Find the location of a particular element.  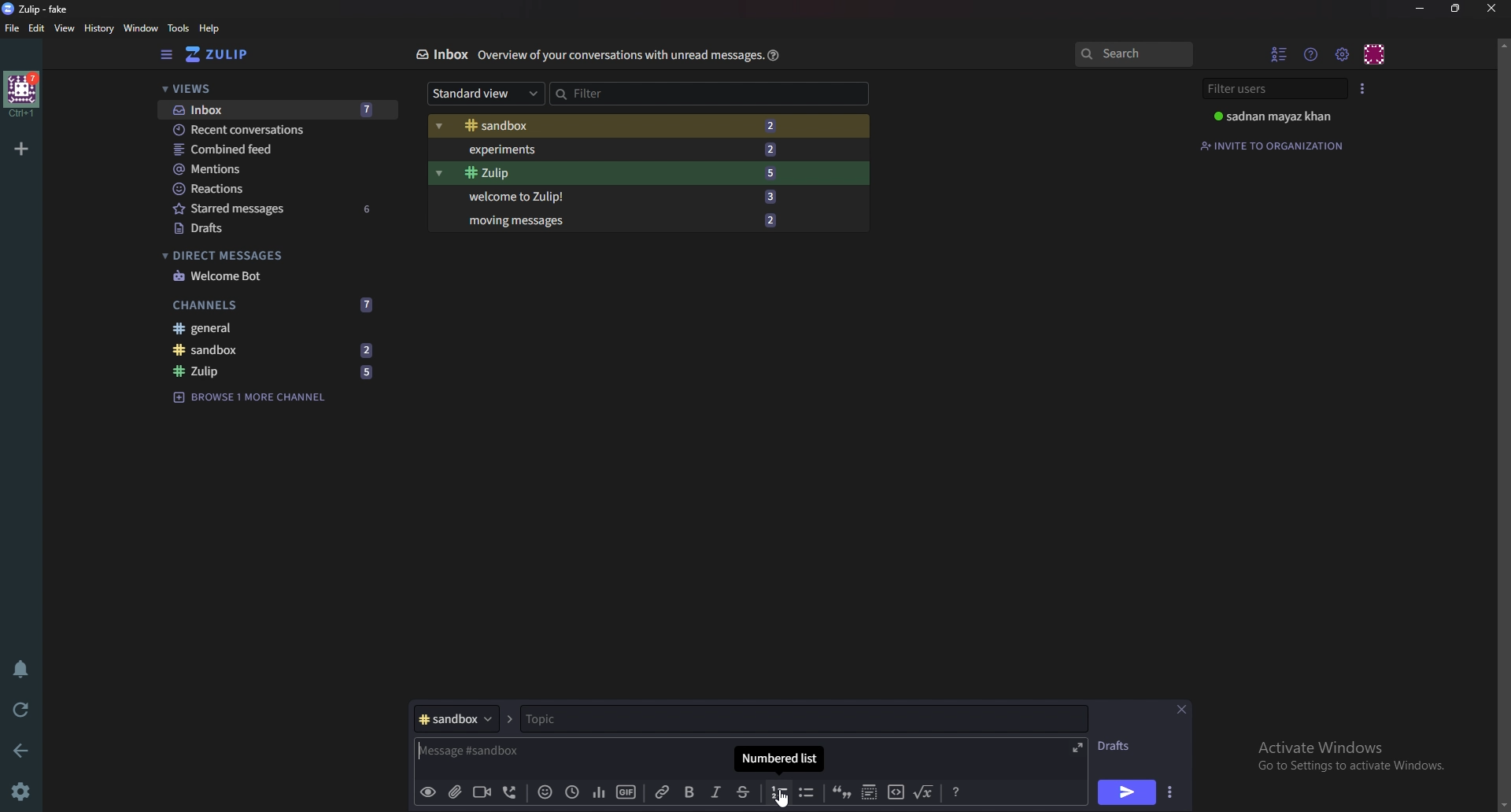

home is located at coordinates (20, 94).